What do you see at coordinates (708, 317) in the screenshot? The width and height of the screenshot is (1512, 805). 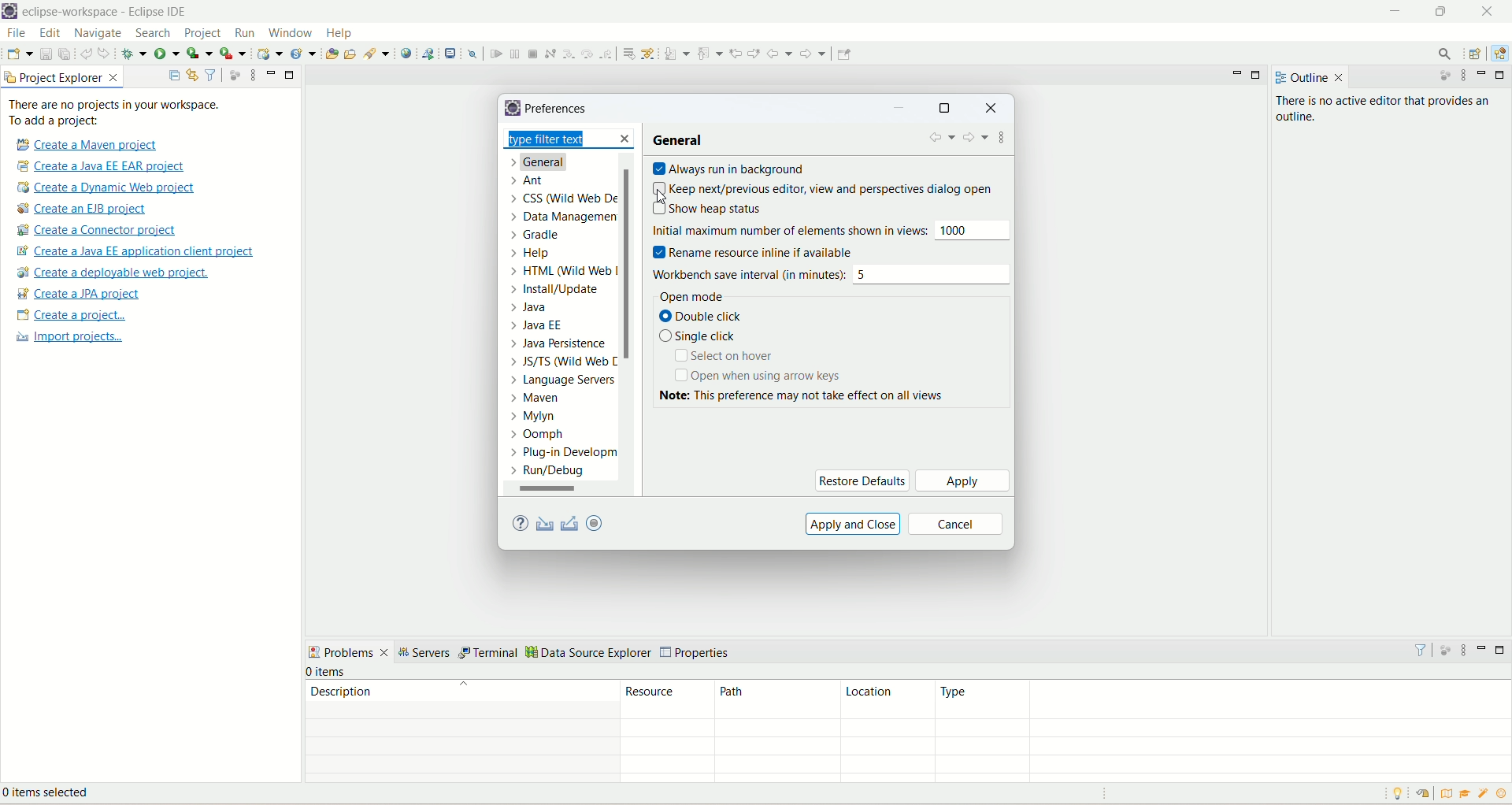 I see `double click` at bounding box center [708, 317].